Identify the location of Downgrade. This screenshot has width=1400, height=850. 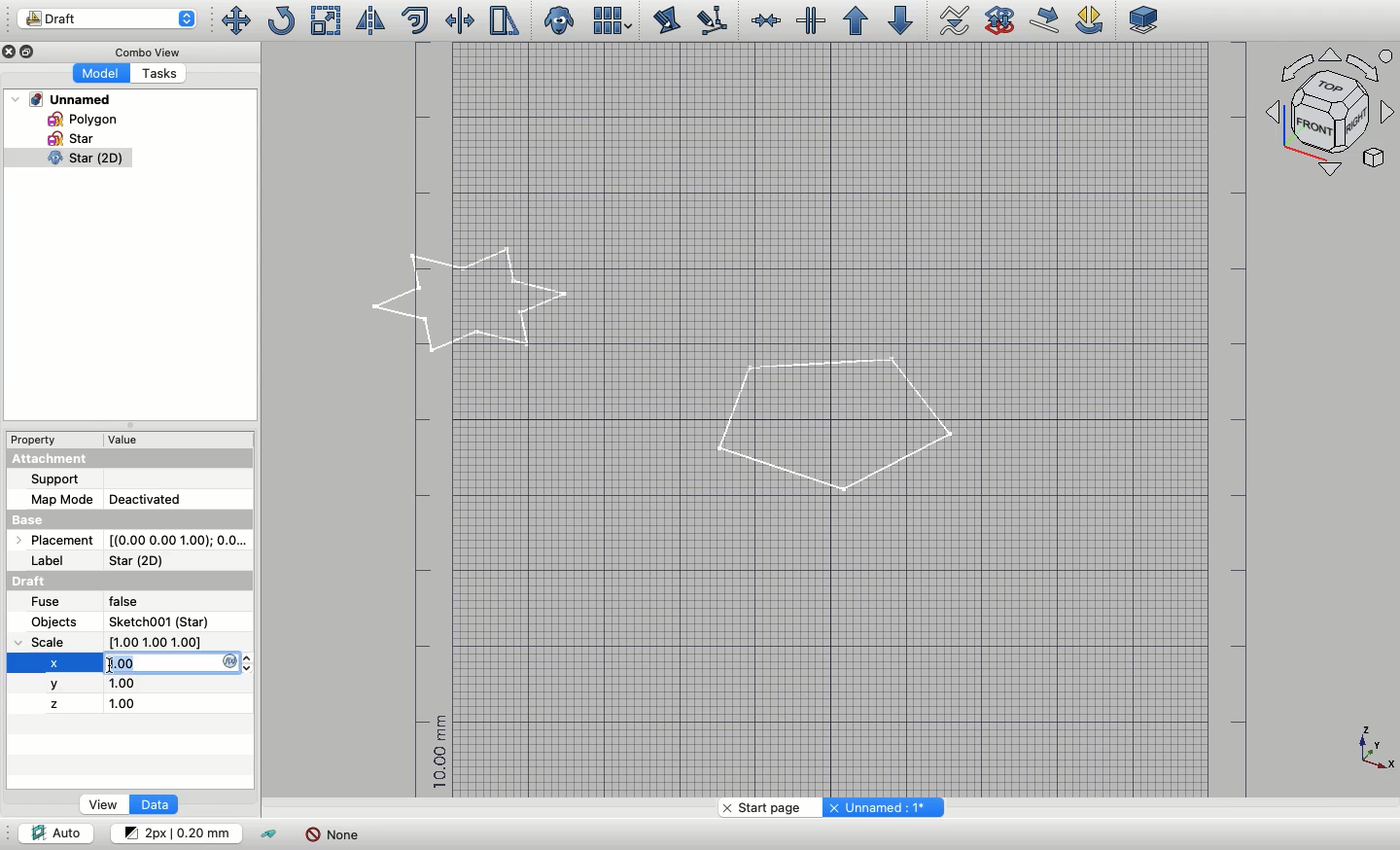
(897, 20).